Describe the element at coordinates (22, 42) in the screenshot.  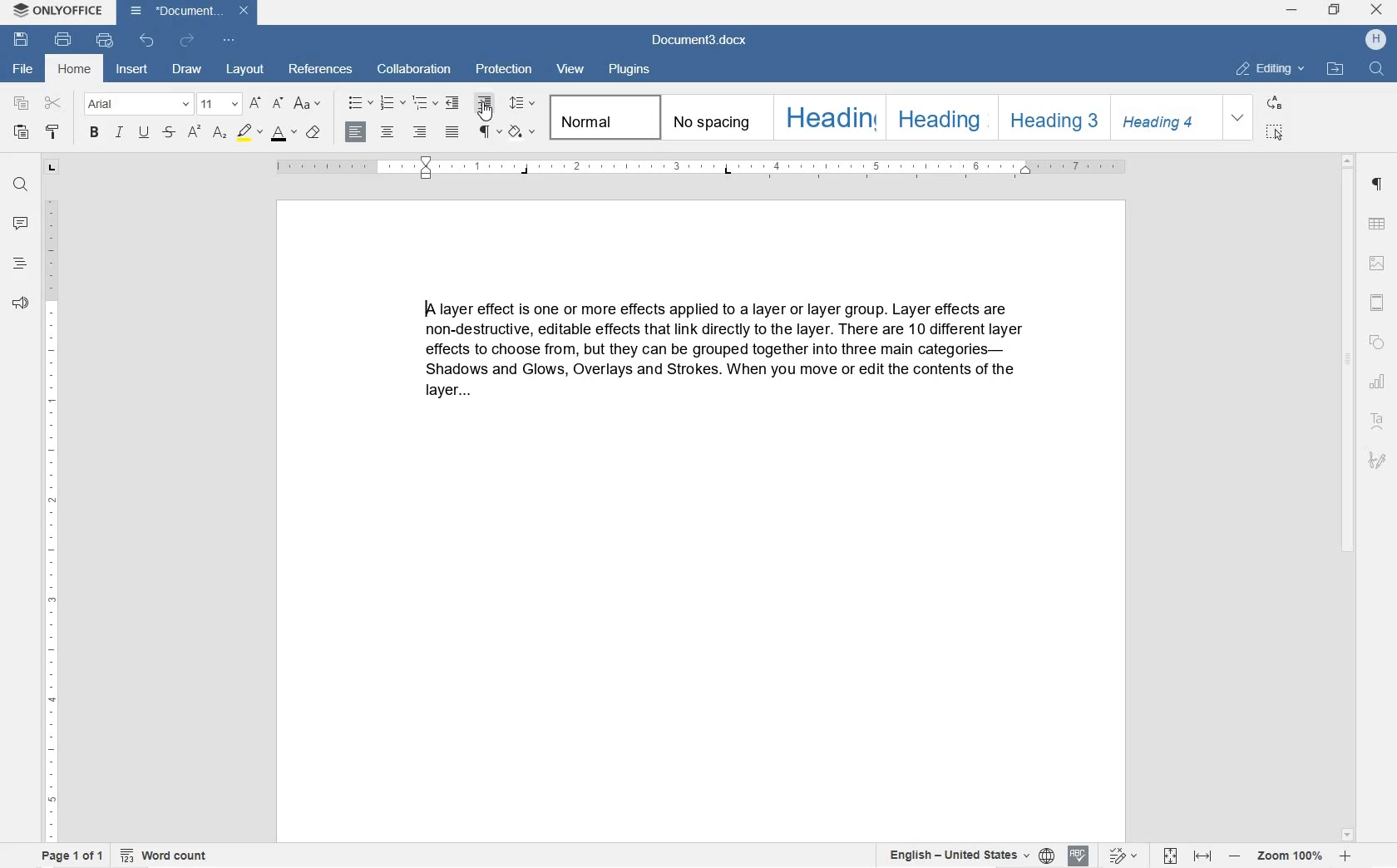
I see `SAVE` at that location.